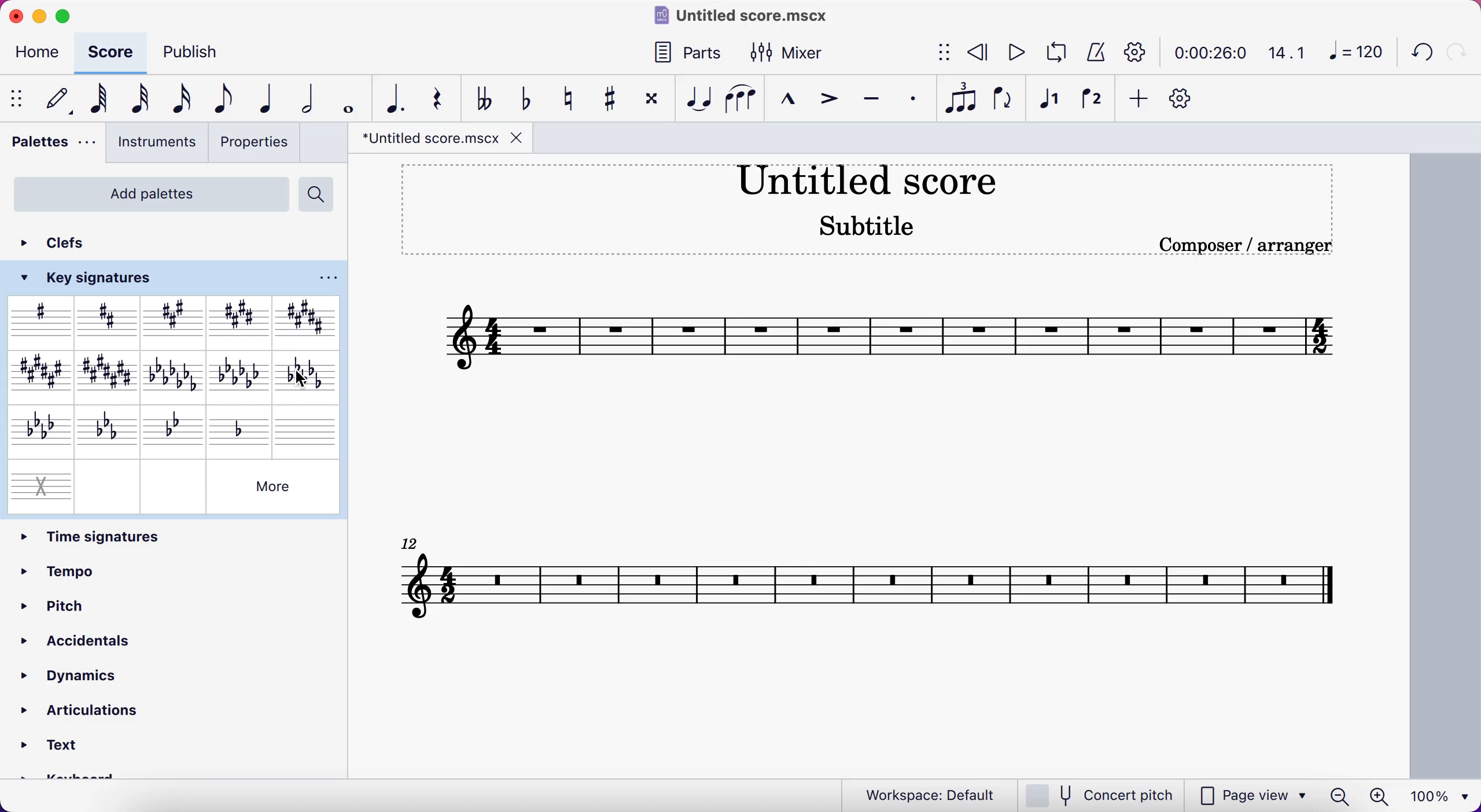 The height and width of the screenshot is (812, 1481). I want to click on redo, so click(1457, 53).